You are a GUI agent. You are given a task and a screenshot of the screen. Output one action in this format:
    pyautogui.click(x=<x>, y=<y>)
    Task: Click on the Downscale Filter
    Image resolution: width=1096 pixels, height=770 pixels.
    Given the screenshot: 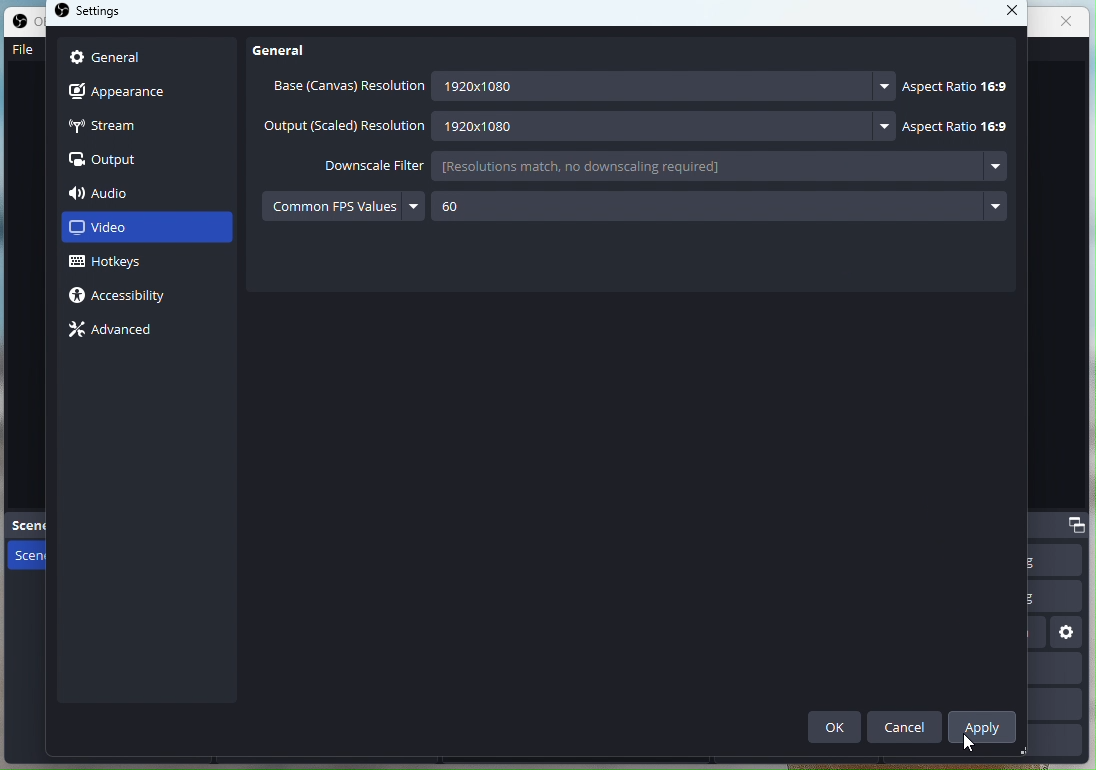 What is the action you would take?
    pyautogui.click(x=358, y=164)
    